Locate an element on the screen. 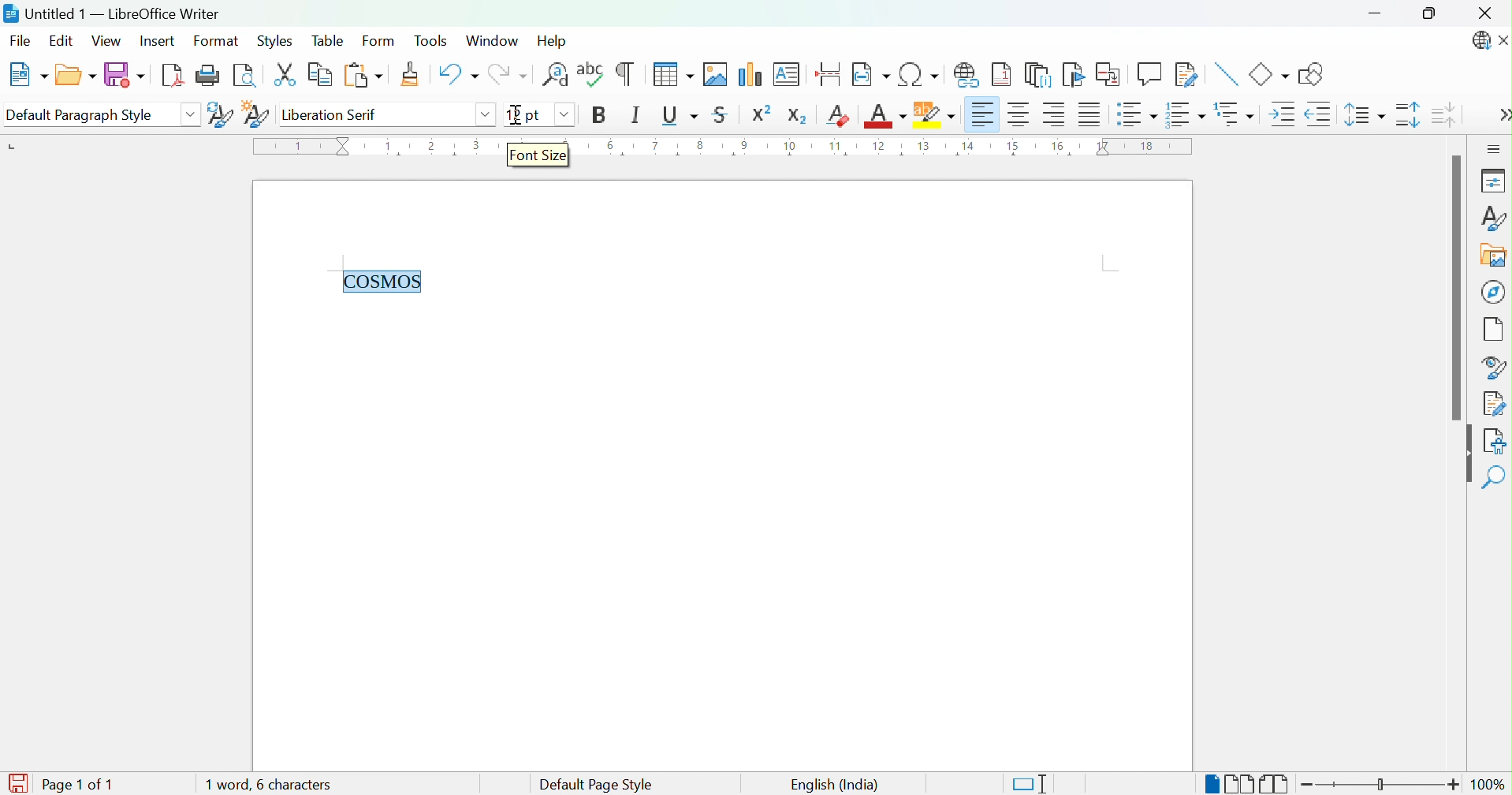 The image size is (1512, 795). Hide is located at coordinates (1464, 456).